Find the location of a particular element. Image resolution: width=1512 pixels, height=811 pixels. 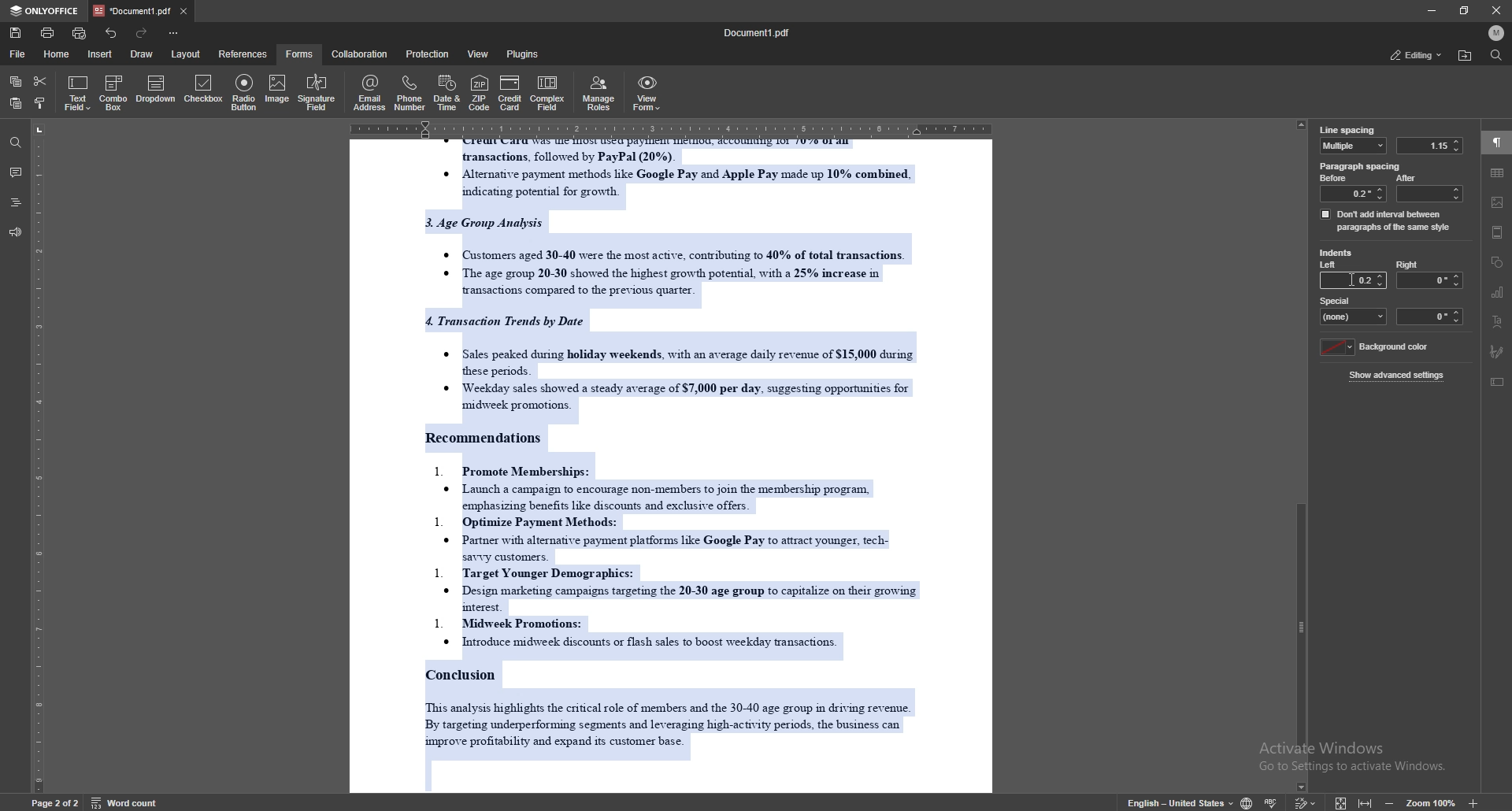

header and footer is located at coordinates (1498, 232).